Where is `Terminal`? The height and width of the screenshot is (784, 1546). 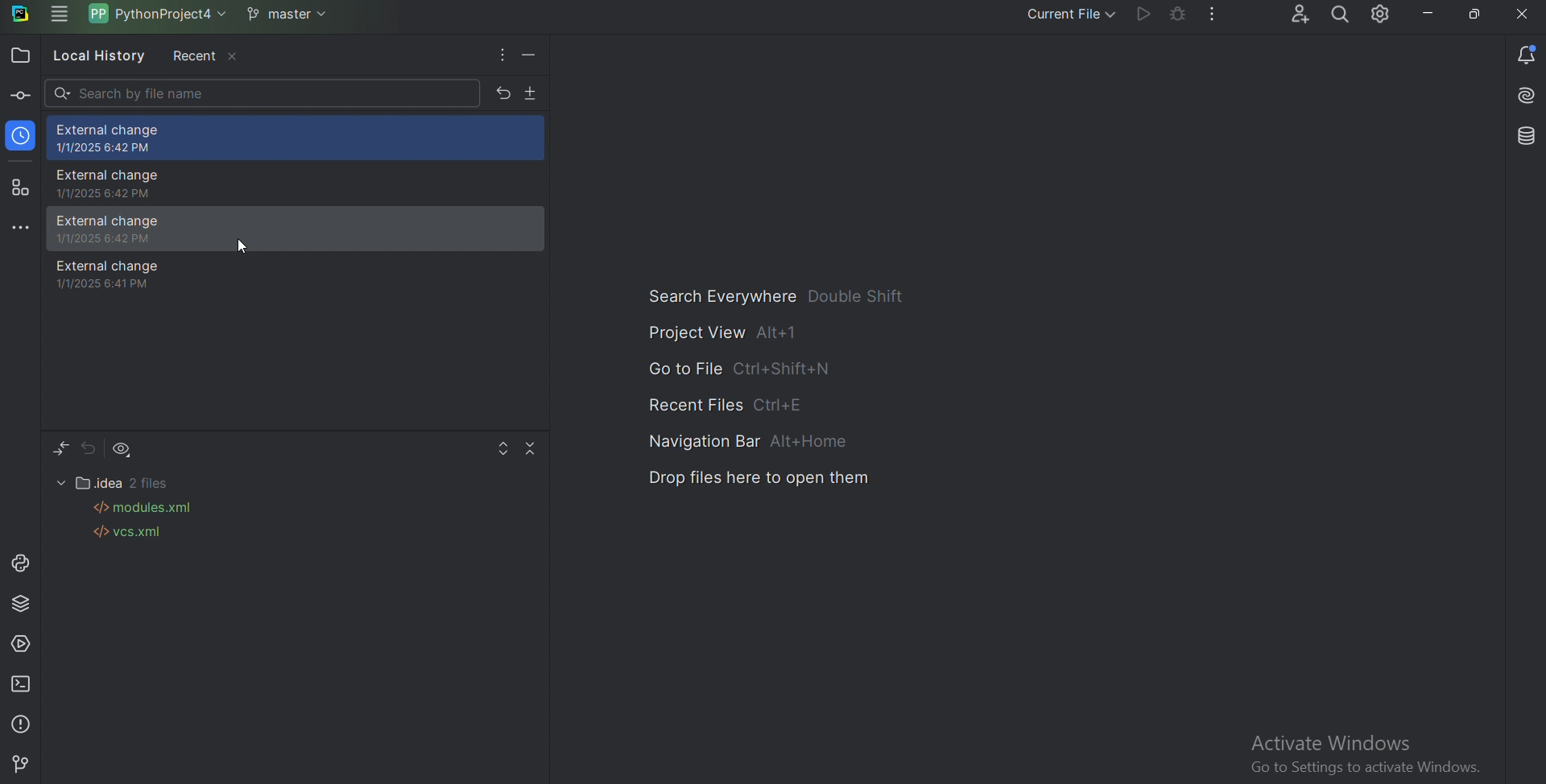 Terminal is located at coordinates (23, 685).